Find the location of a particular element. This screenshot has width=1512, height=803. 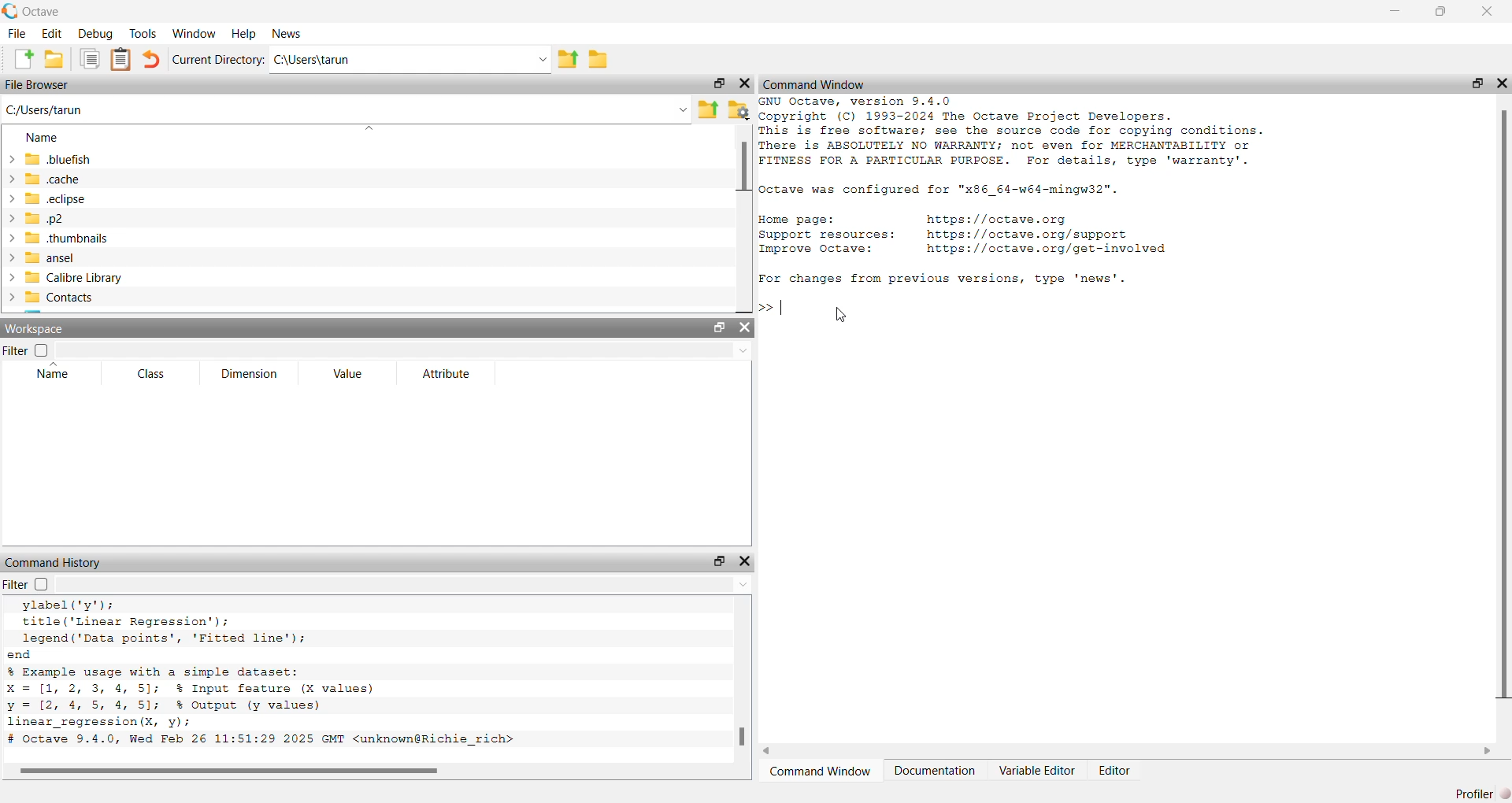

octave configuration is located at coordinates (950, 188).